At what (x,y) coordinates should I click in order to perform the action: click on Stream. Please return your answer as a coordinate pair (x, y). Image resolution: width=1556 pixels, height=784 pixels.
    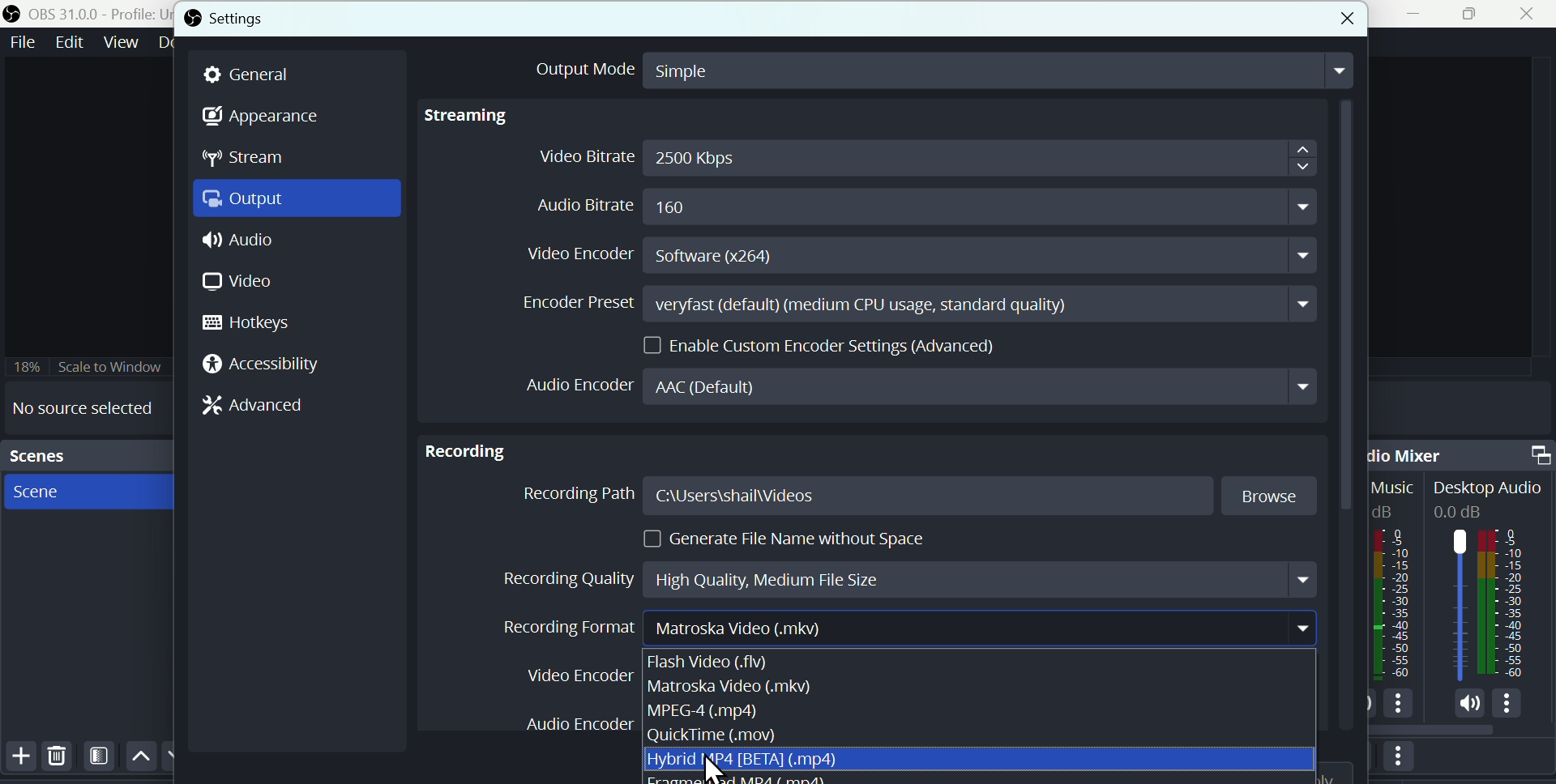
    Looking at the image, I should click on (253, 157).